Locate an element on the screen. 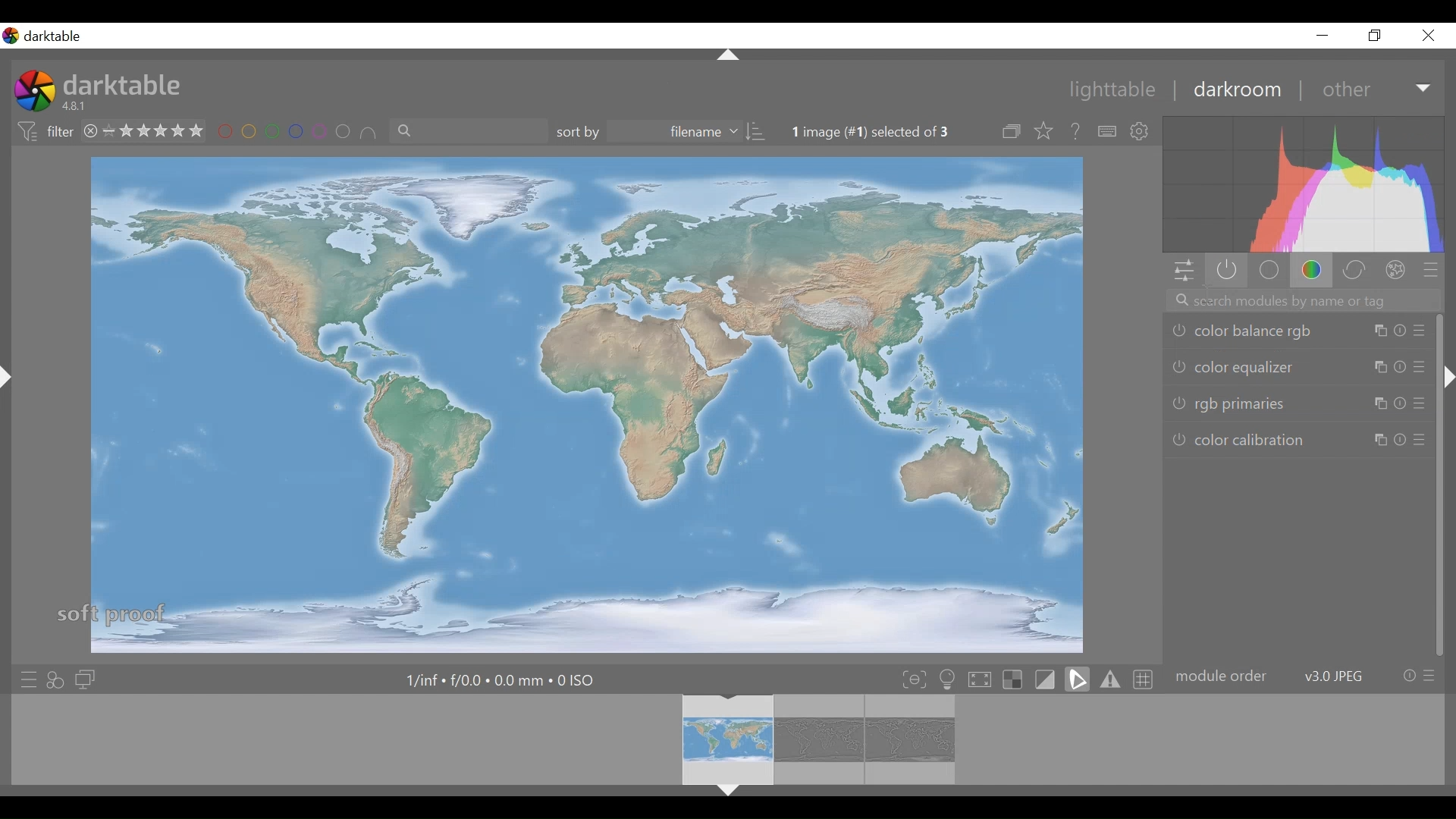 This screenshot has width=1456, height=819. toggle softproofing is located at coordinates (1077, 679).